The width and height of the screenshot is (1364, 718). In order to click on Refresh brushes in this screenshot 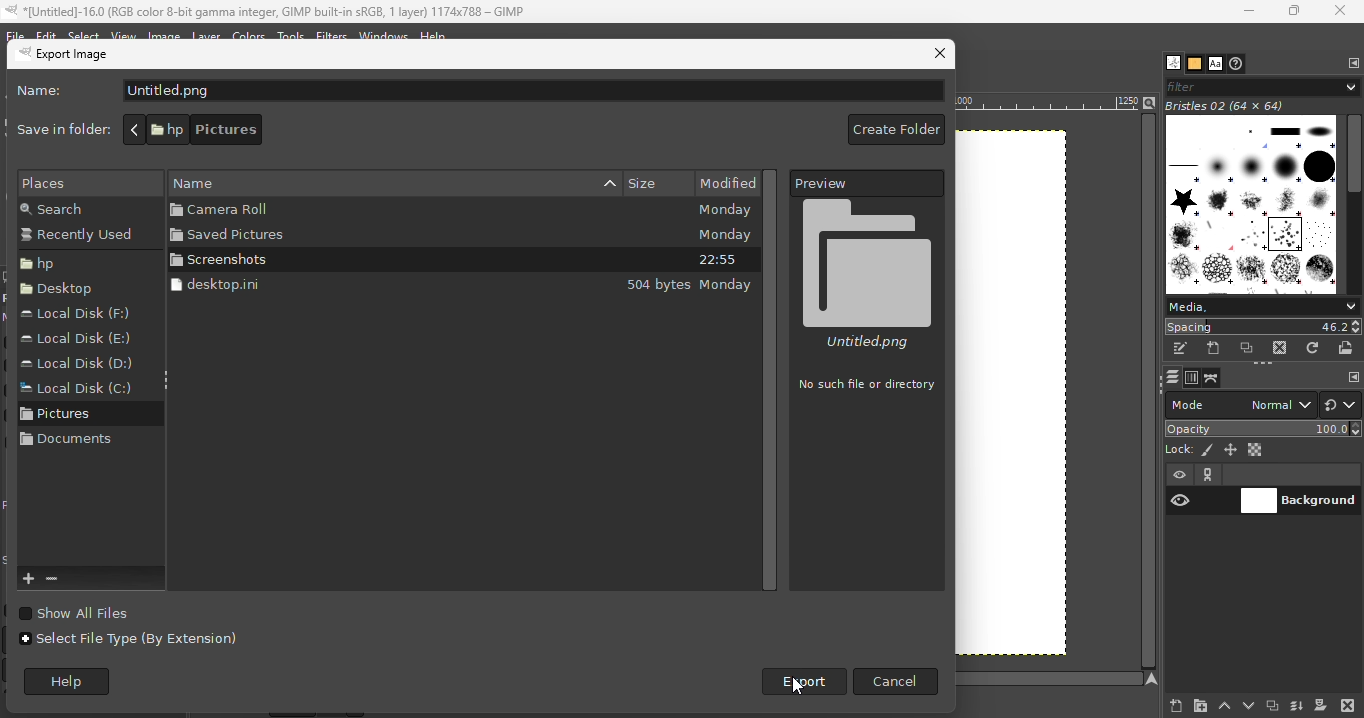, I will do `click(1313, 348)`.